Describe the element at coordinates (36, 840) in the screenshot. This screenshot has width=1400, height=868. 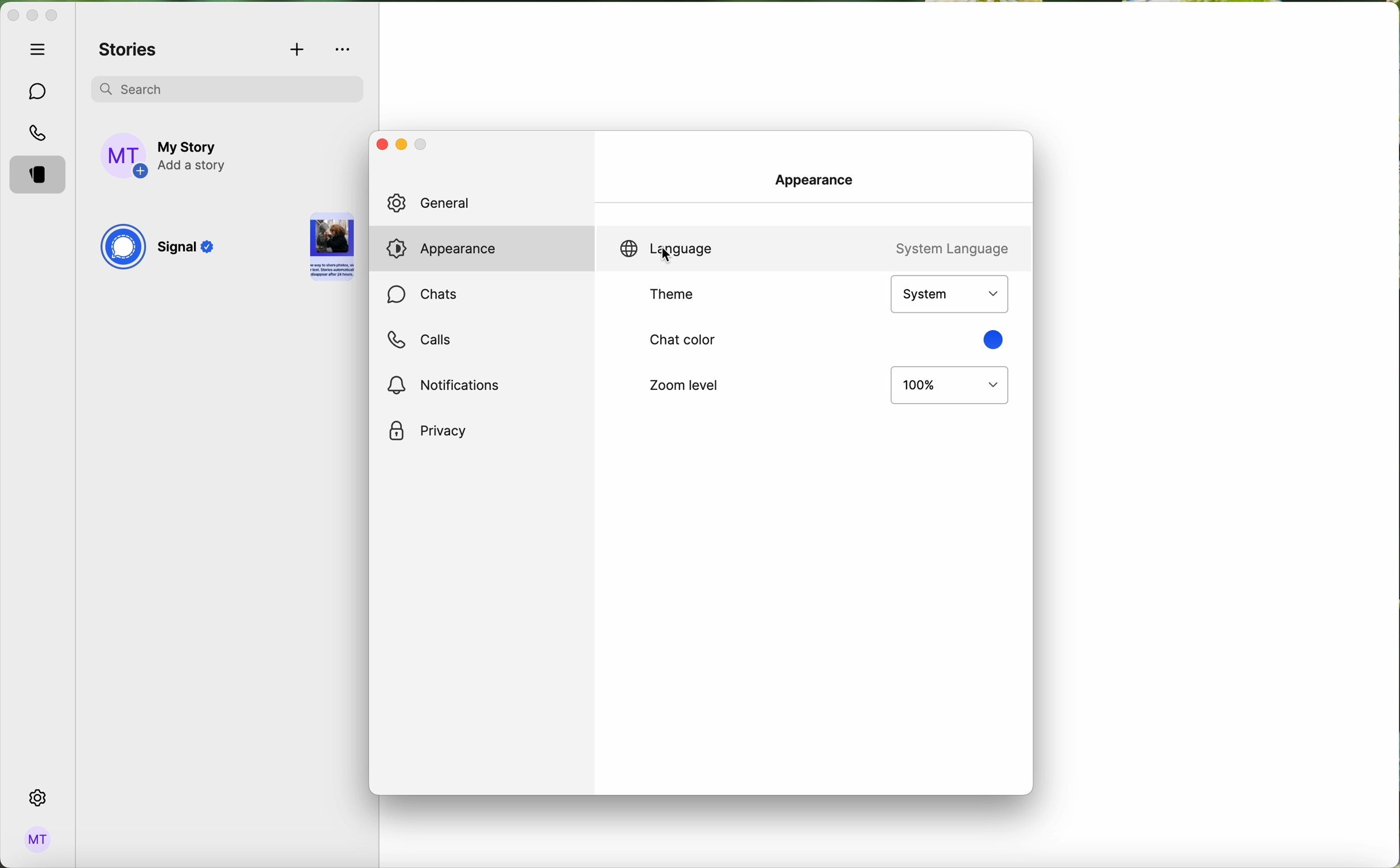
I see `admin logo` at that location.